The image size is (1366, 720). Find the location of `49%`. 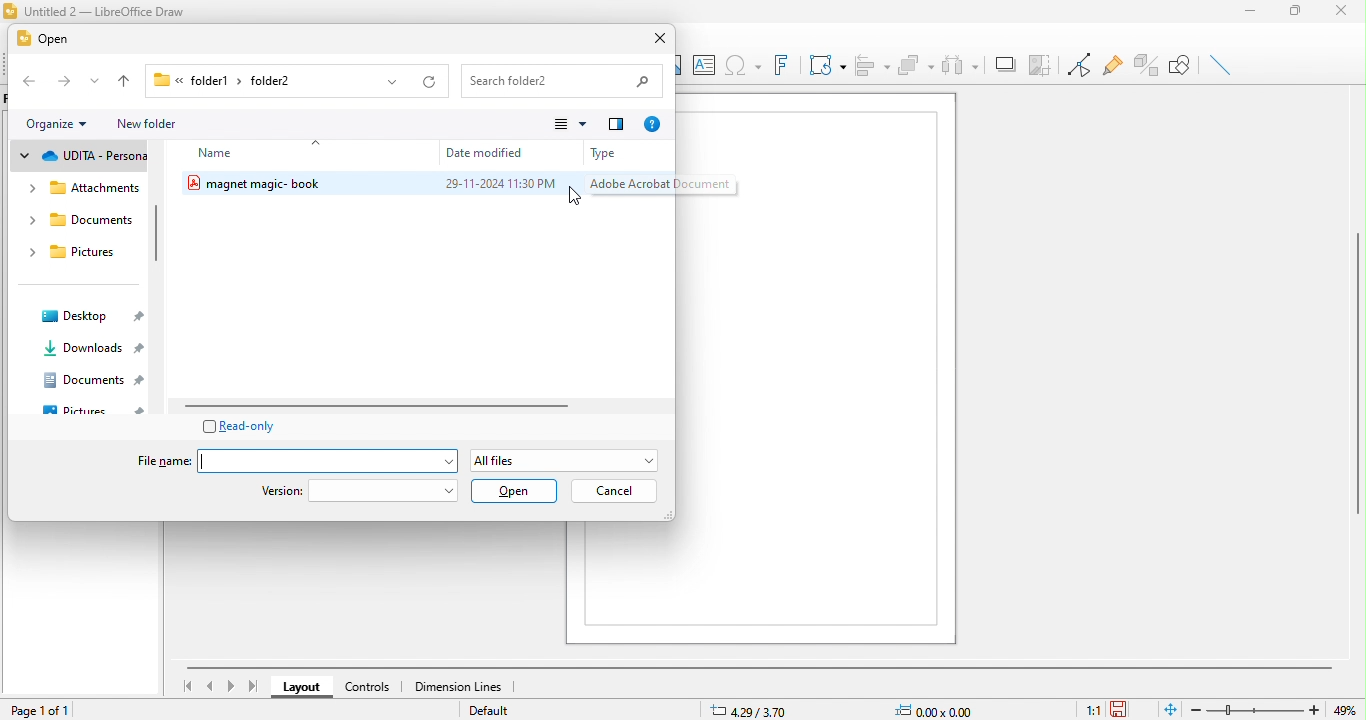

49% is located at coordinates (1350, 709).